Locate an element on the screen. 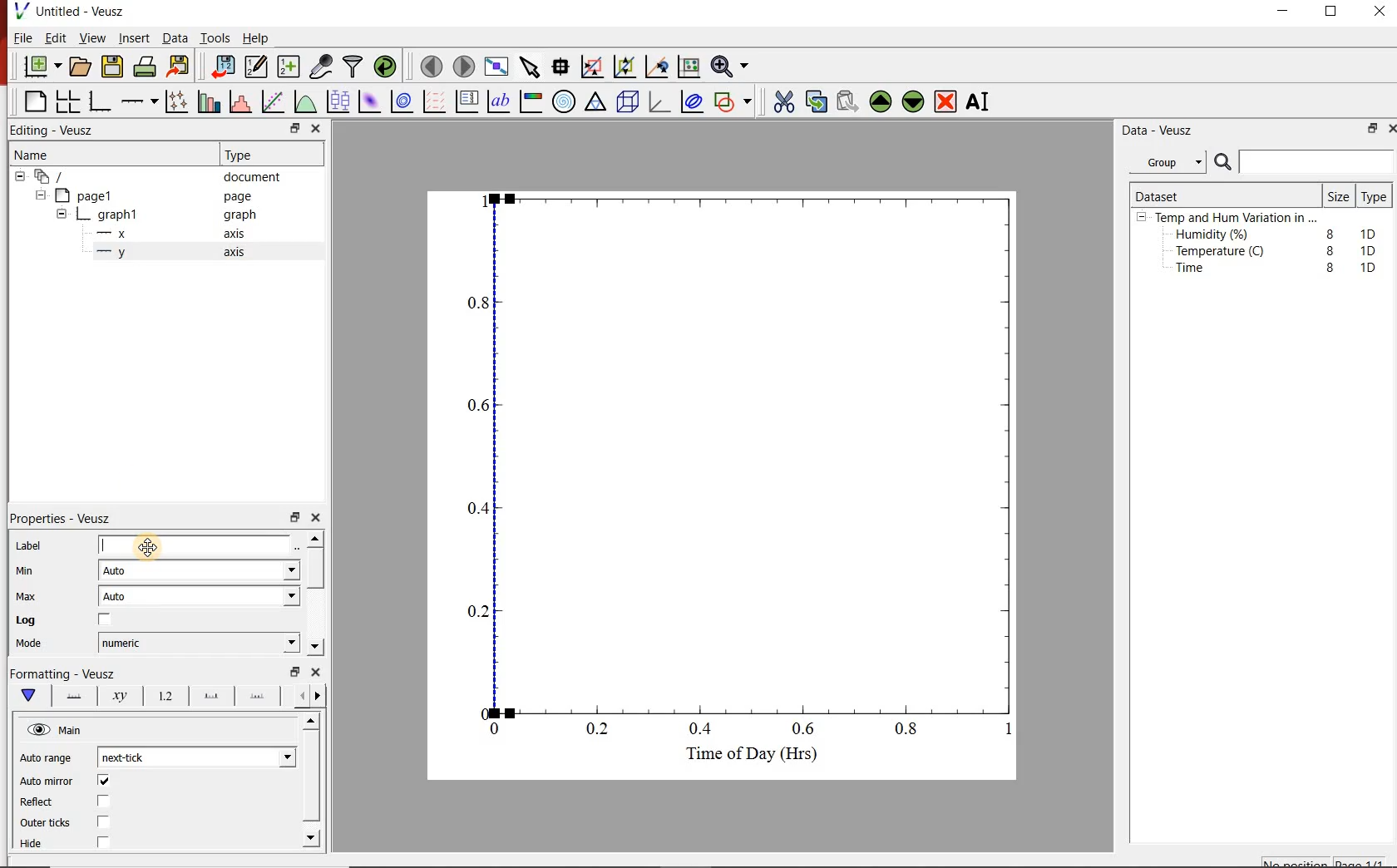 The height and width of the screenshot is (868, 1397). click to recenter graph axes is located at coordinates (657, 67).